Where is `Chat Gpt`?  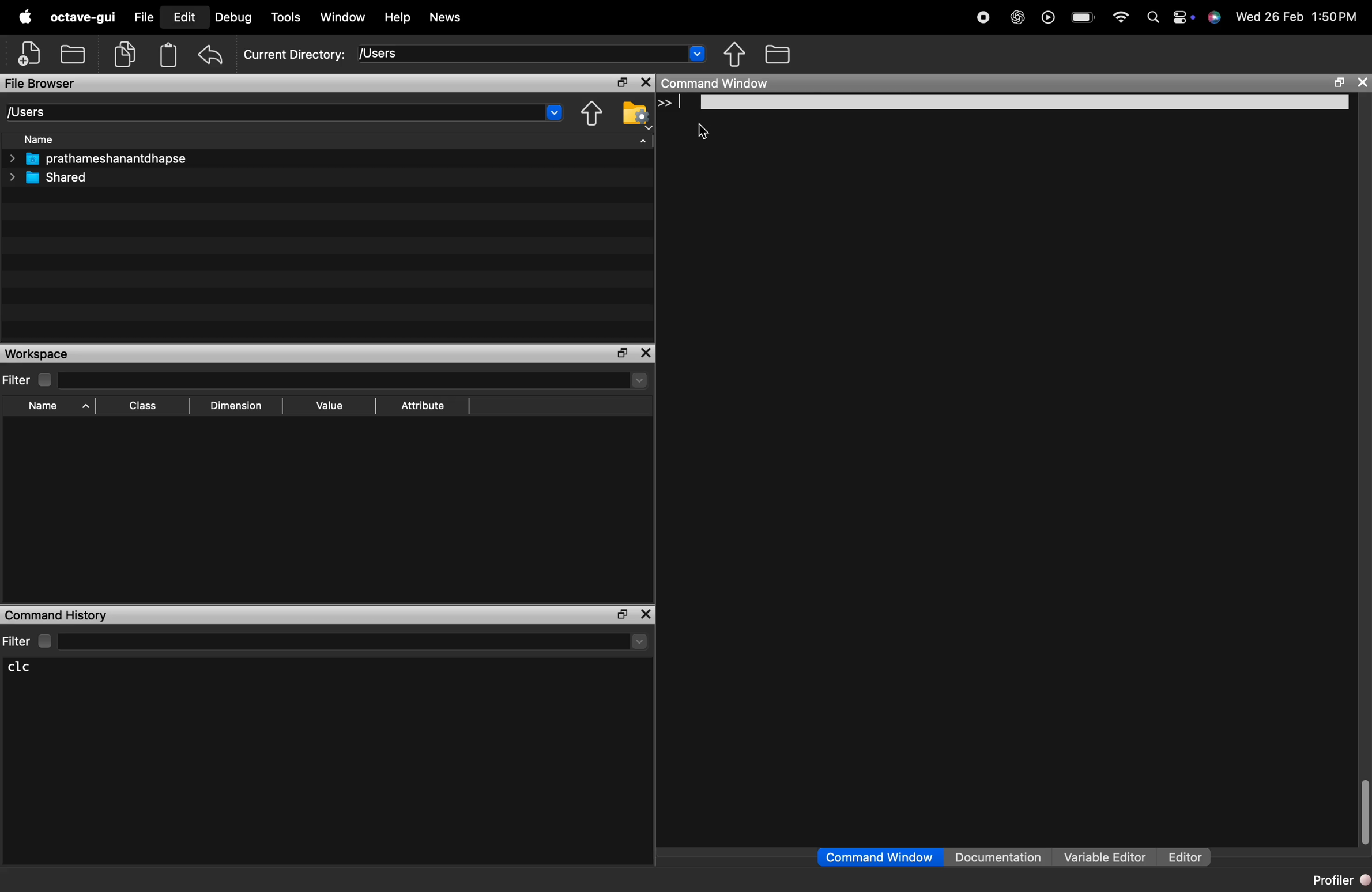
Chat Gpt is located at coordinates (1015, 18).